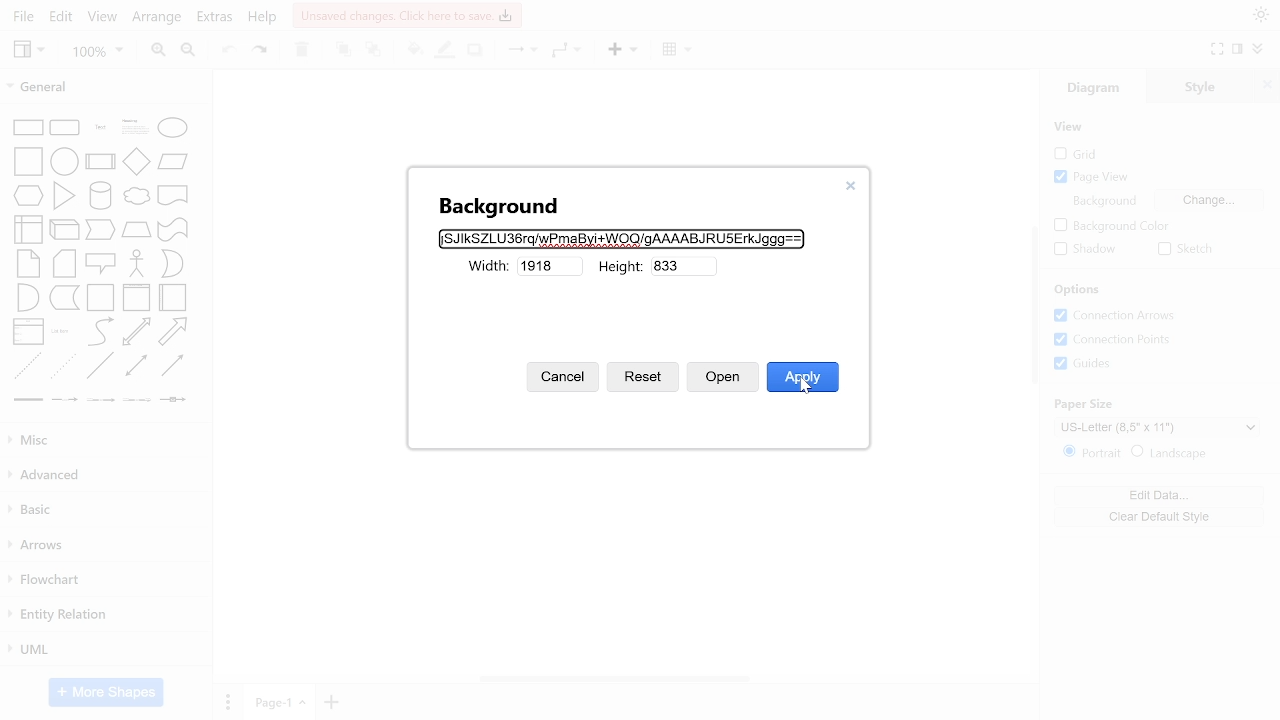  What do you see at coordinates (170, 228) in the screenshot?
I see `general shapes` at bounding box center [170, 228].